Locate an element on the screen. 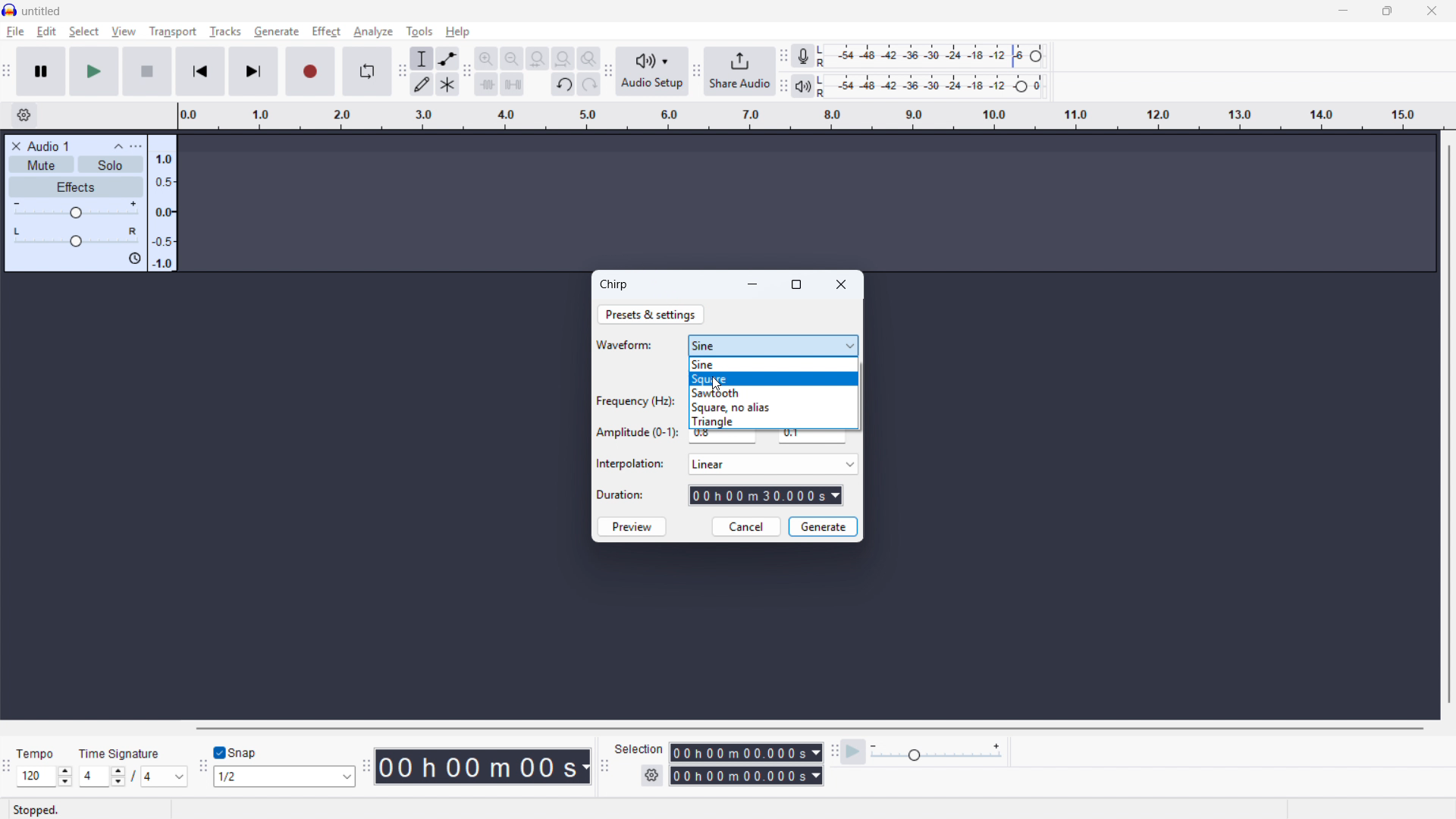 This screenshot has height=819, width=1456. Triangle  is located at coordinates (774, 421).